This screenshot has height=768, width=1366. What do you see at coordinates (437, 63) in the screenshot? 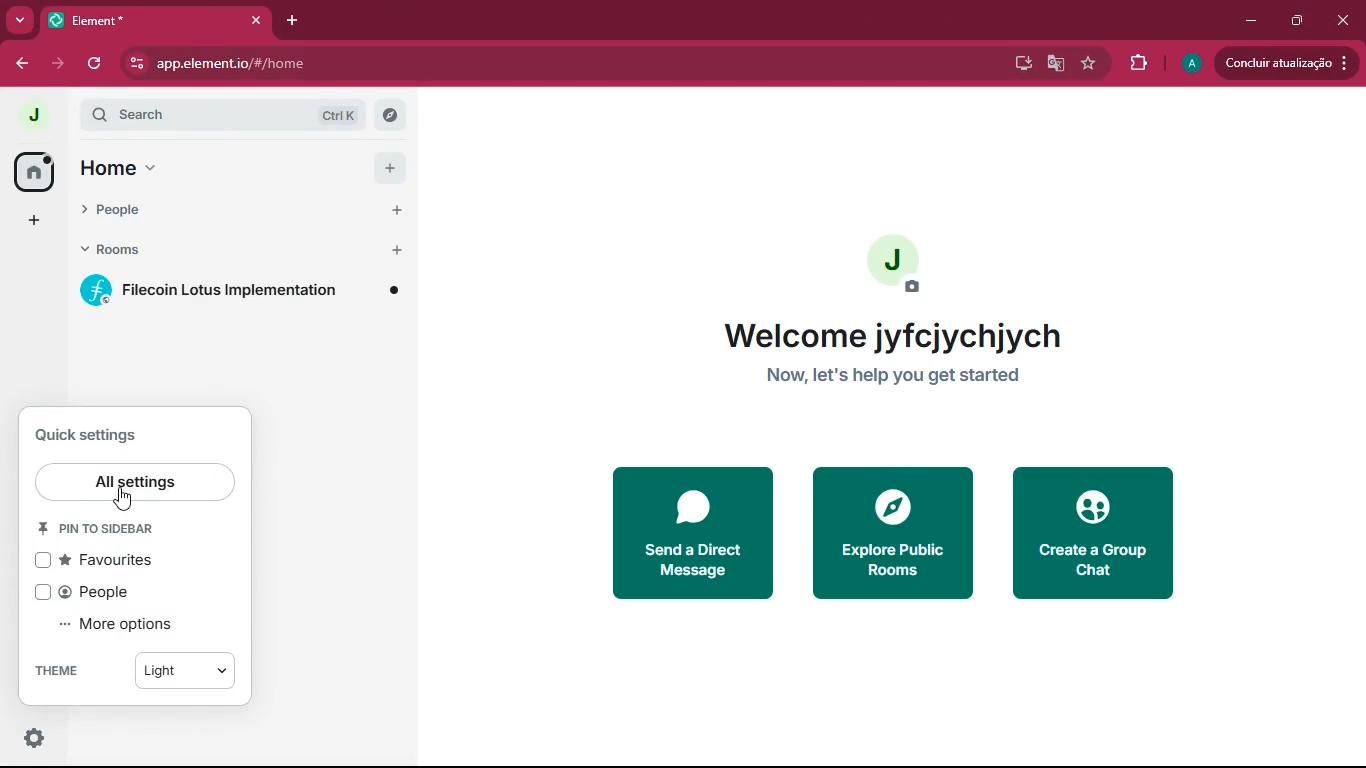
I see `app.elementio/#/home` at bounding box center [437, 63].